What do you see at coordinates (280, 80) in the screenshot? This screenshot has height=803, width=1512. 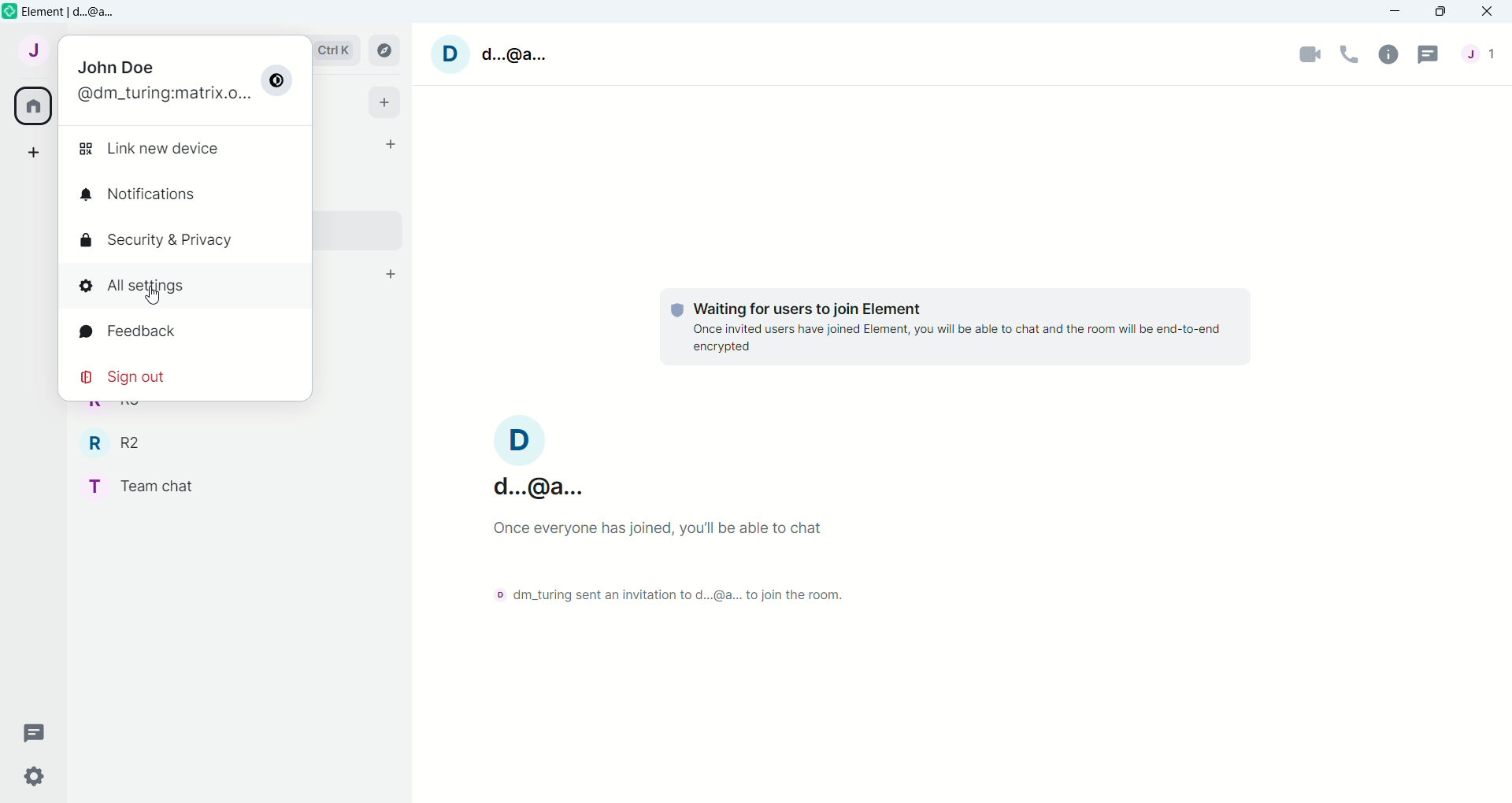 I see `Switch to dark mode` at bounding box center [280, 80].